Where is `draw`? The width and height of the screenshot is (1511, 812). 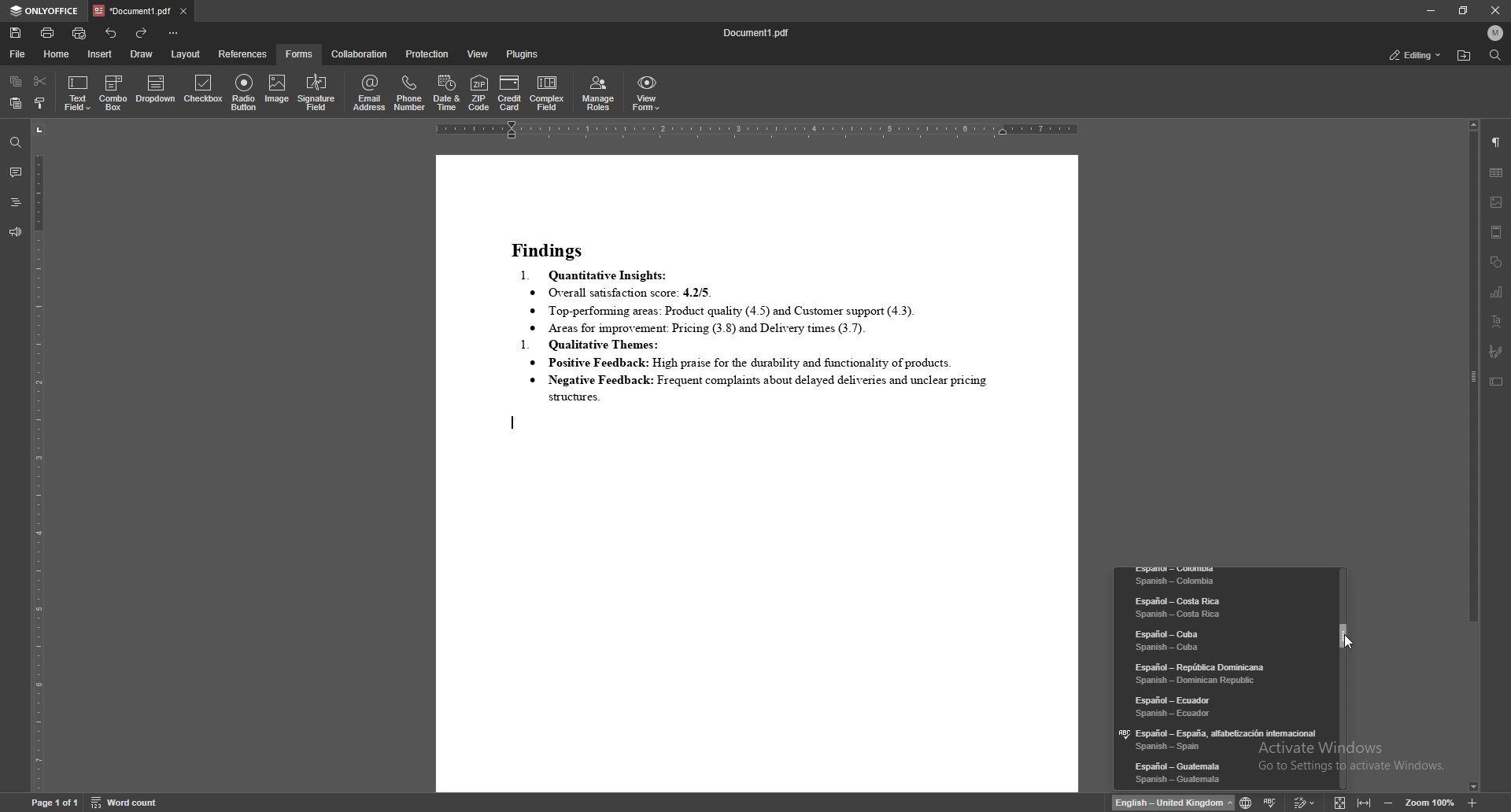
draw is located at coordinates (141, 54).